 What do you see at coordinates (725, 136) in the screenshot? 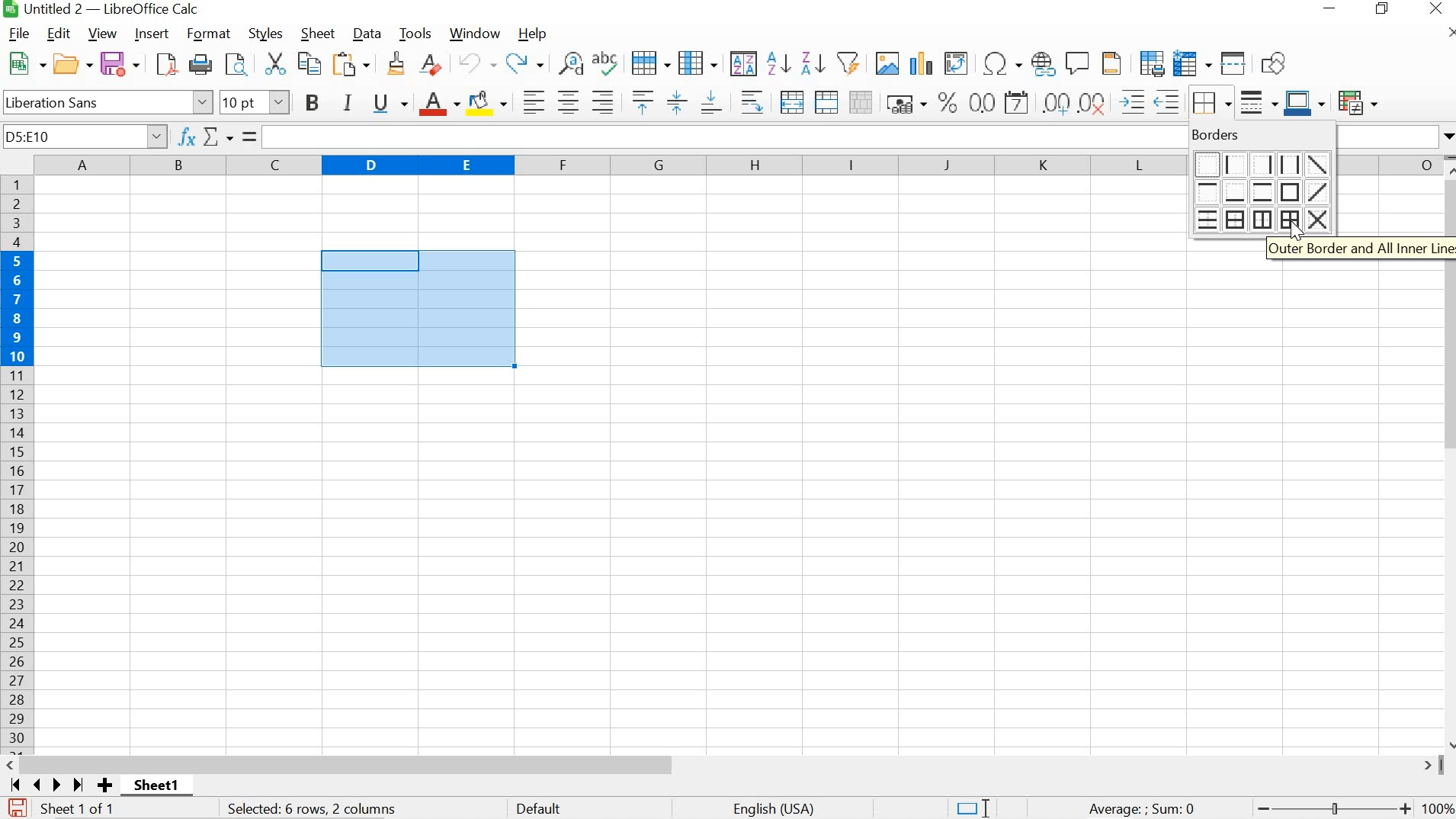
I see `INPUT LINE` at bounding box center [725, 136].